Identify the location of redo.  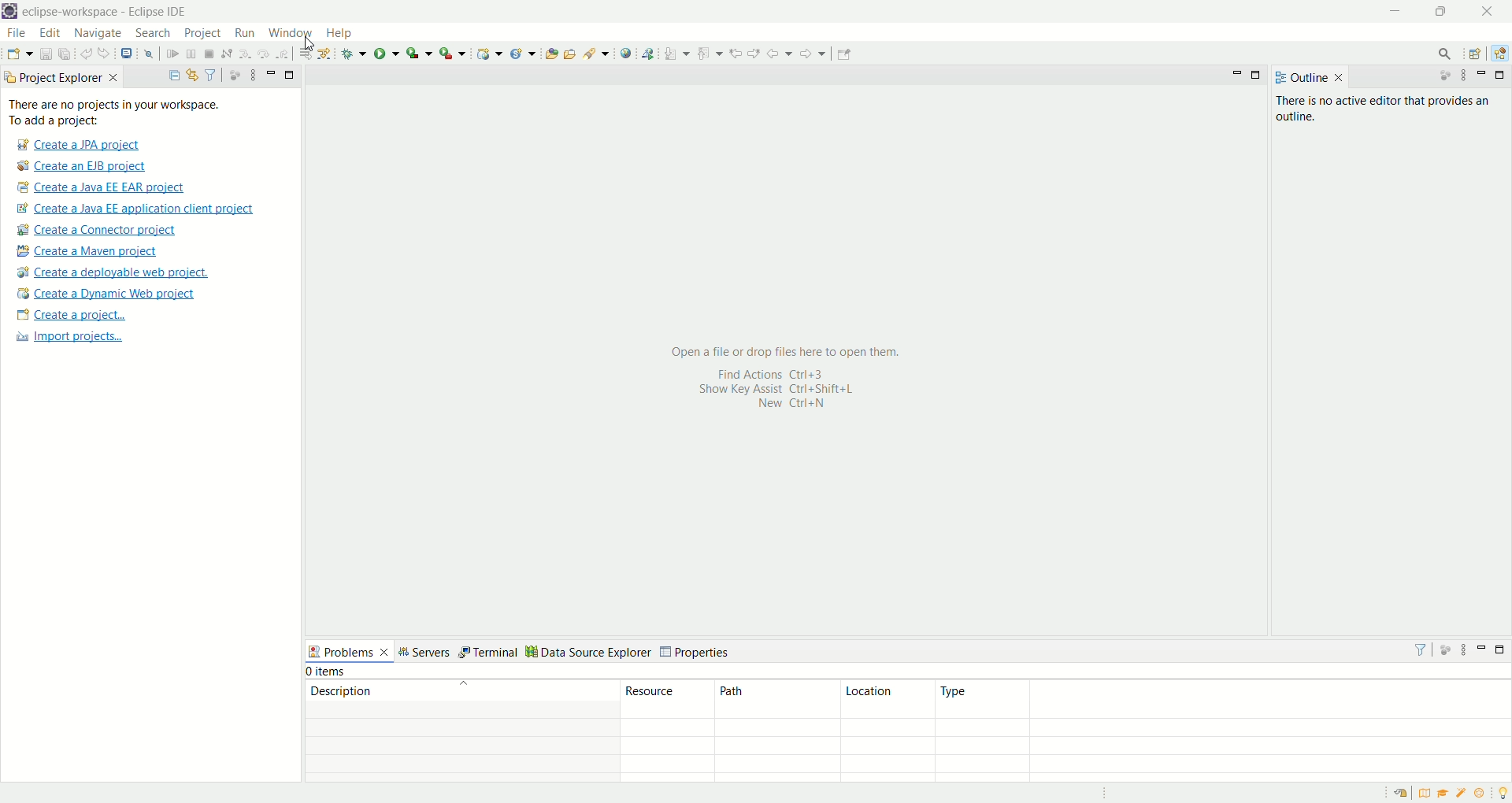
(104, 53).